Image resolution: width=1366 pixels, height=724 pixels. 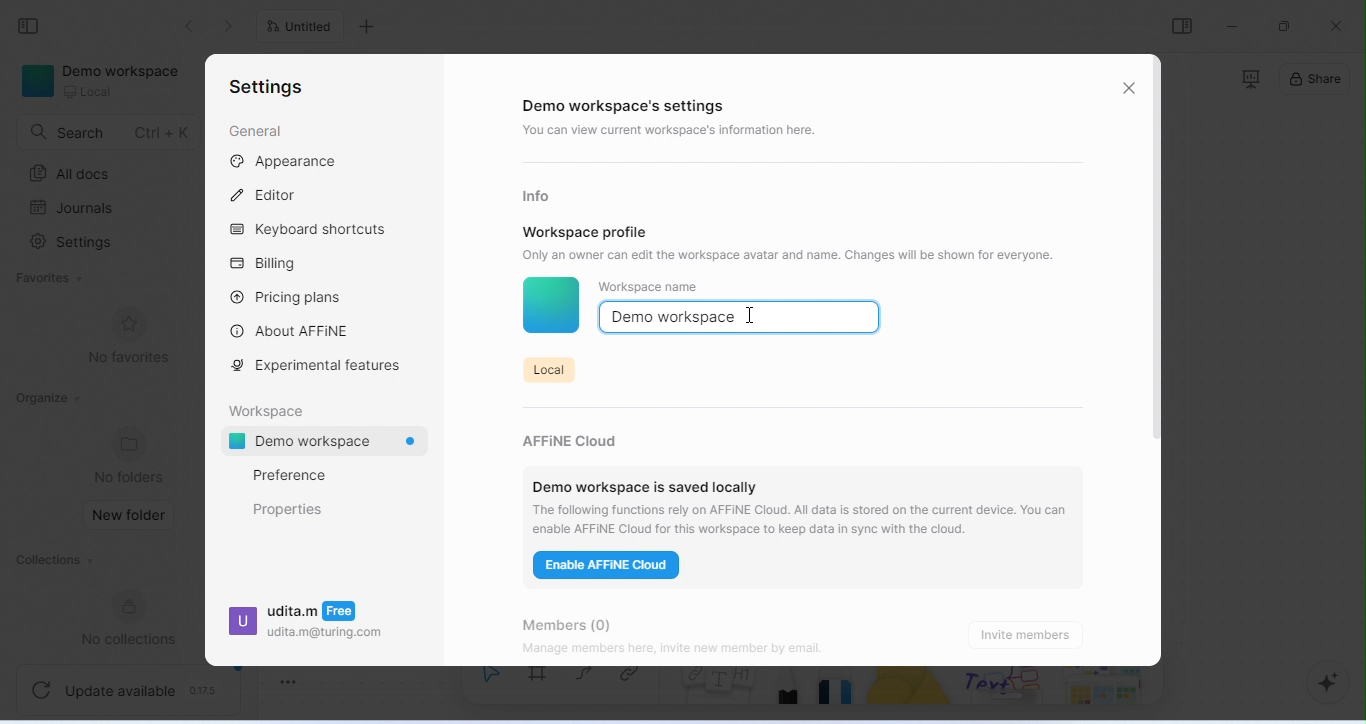 I want to click on open or close side bar, so click(x=1182, y=26).